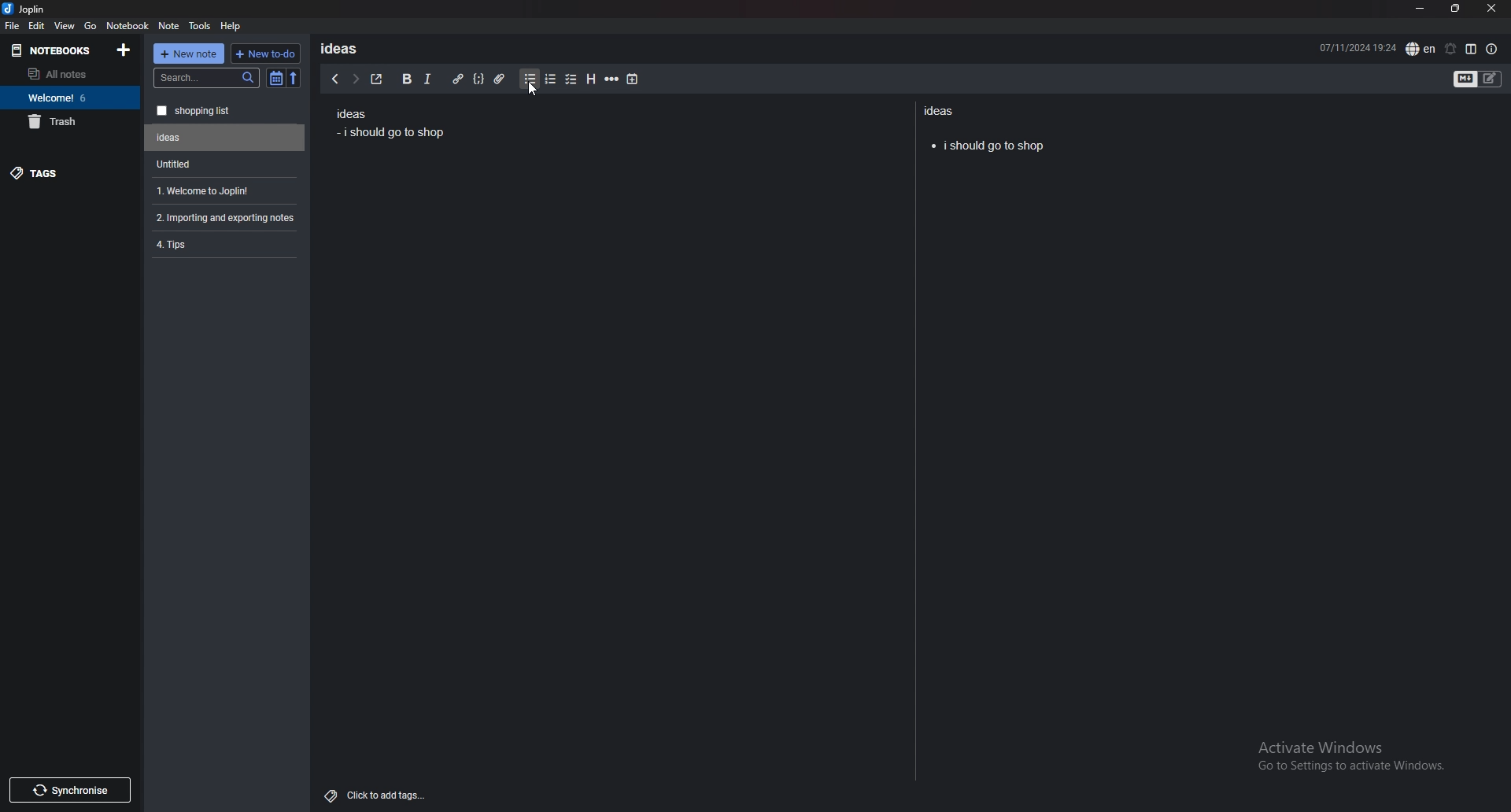 The image size is (1511, 812). I want to click on Synchronise, so click(69, 790).